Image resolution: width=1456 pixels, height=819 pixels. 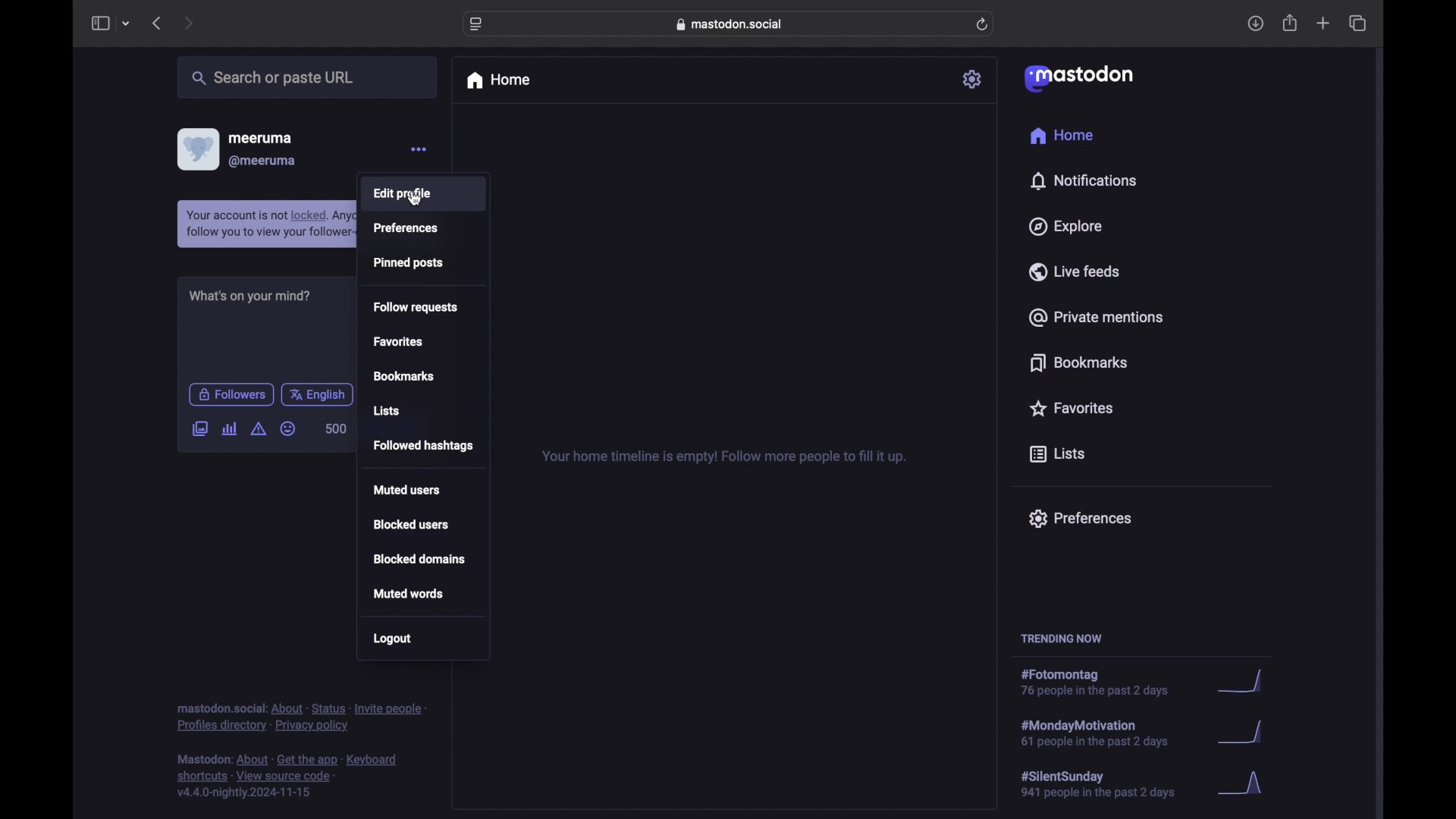 I want to click on downloads, so click(x=1256, y=24).